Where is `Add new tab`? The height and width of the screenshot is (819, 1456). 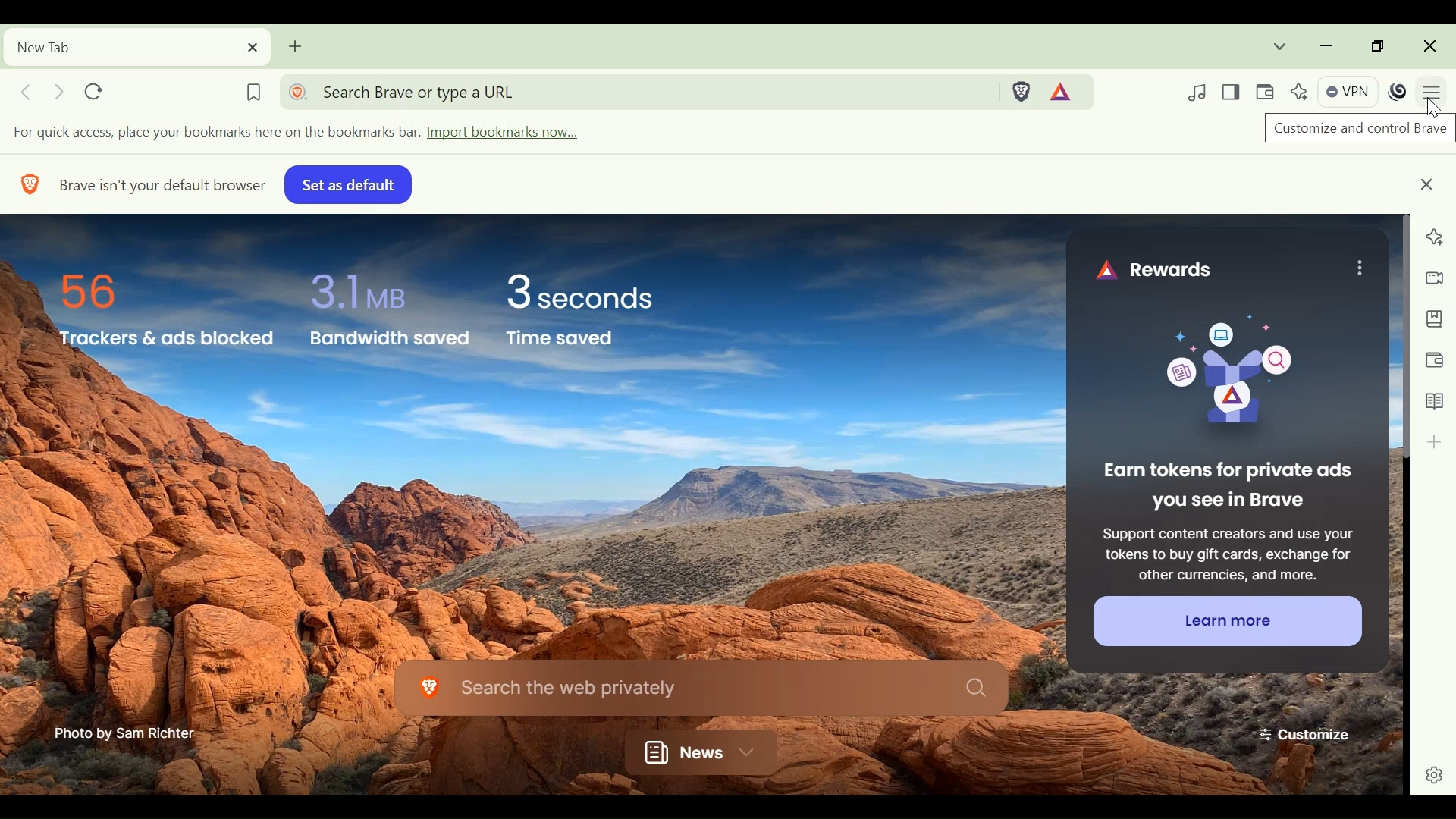
Add new tab is located at coordinates (297, 45).